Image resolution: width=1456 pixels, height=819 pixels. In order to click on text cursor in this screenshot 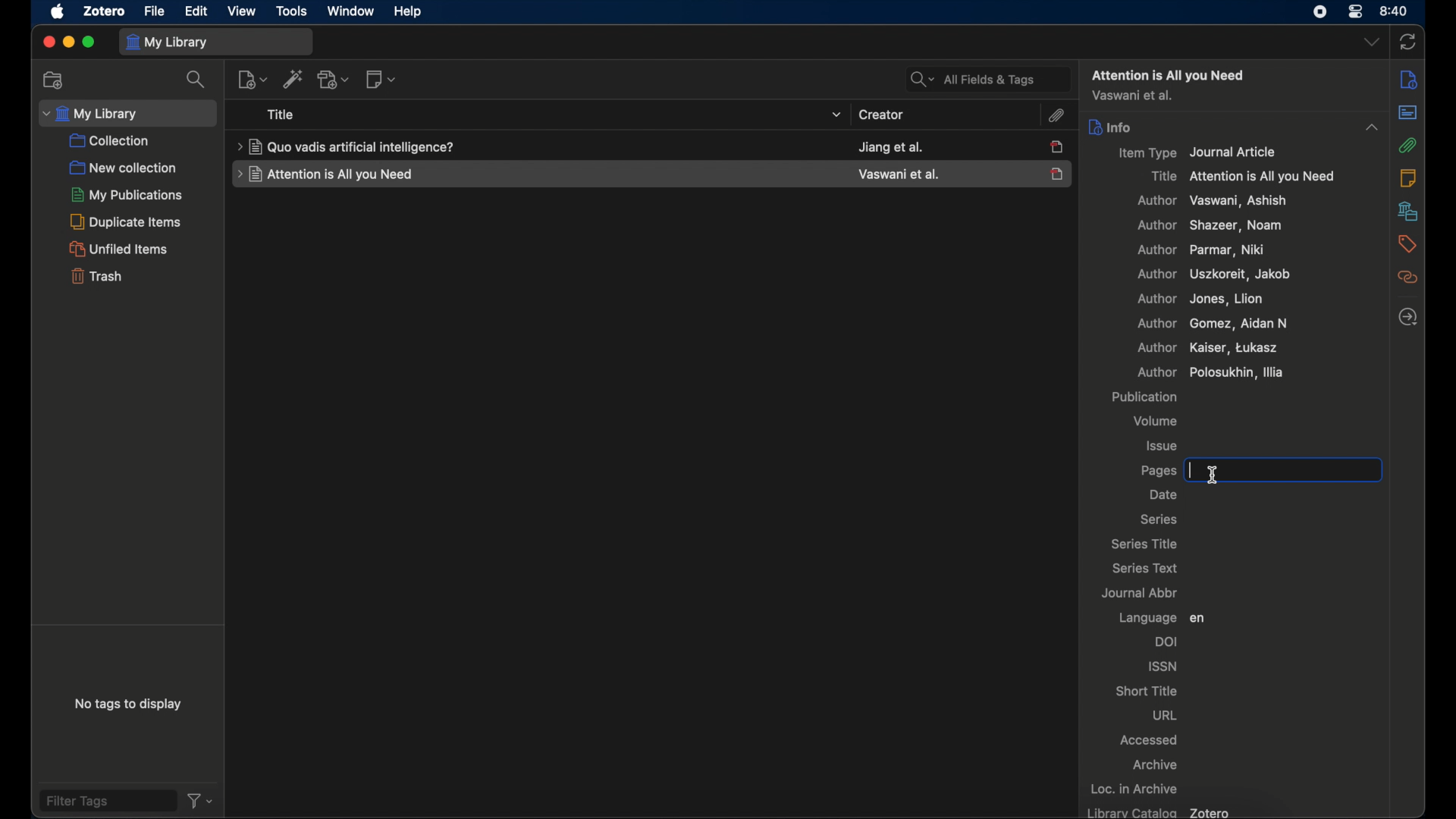, I will do `click(1222, 477)`.